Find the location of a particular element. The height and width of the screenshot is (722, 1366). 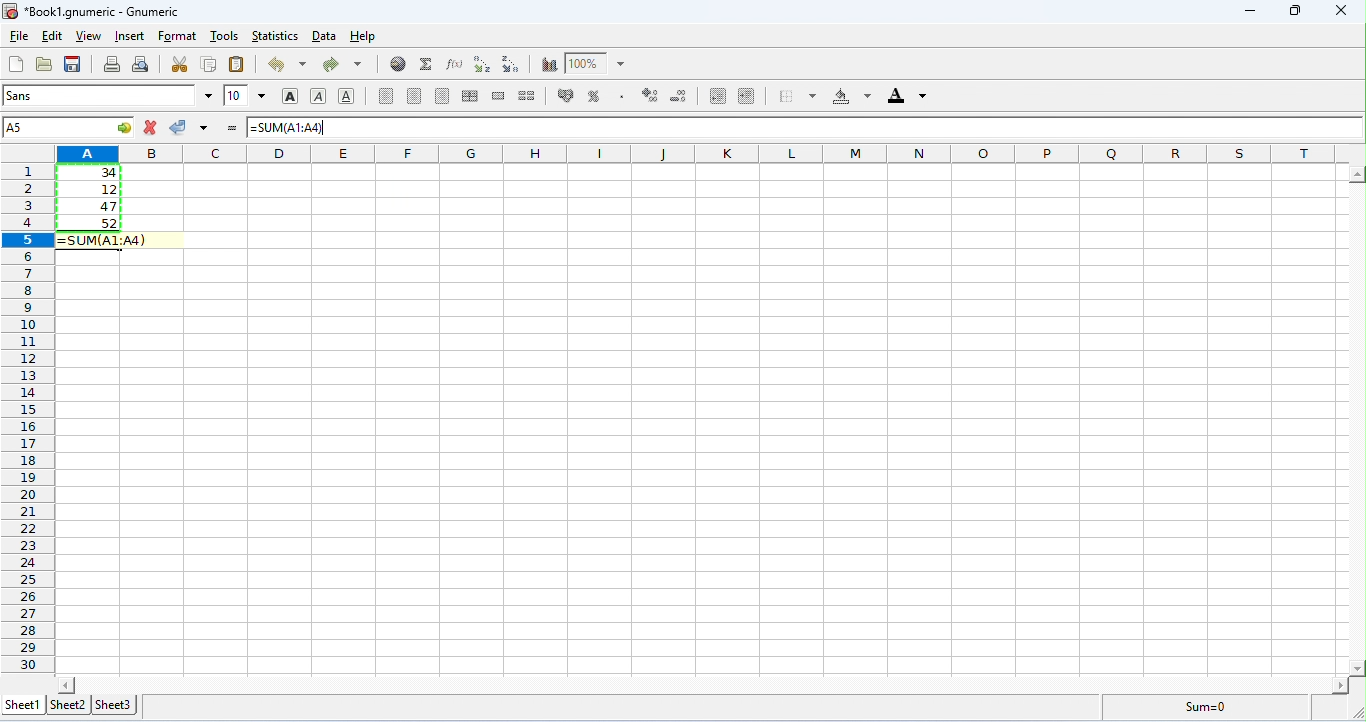

sheet1 is located at coordinates (25, 705).